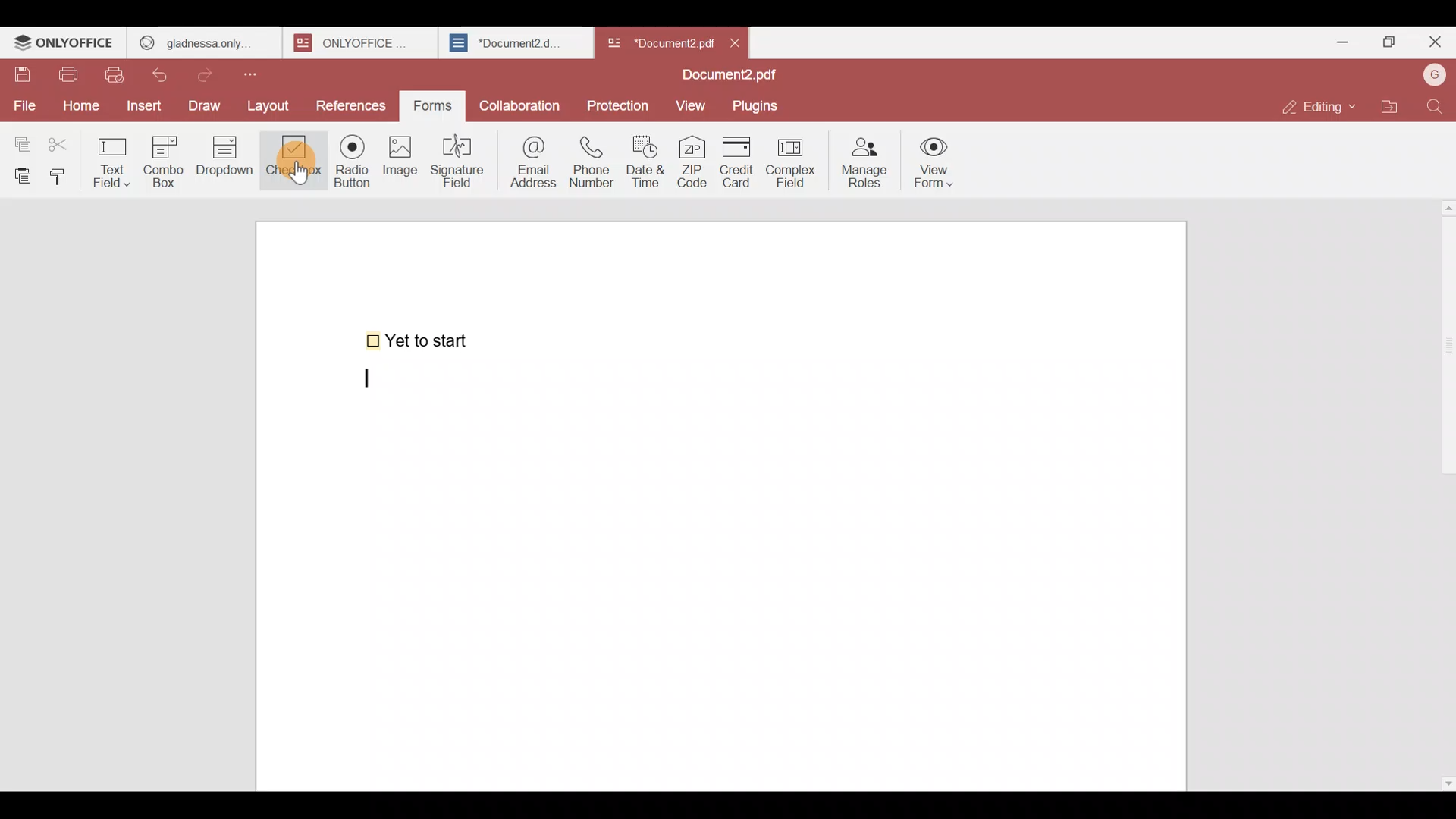  What do you see at coordinates (693, 105) in the screenshot?
I see `View` at bounding box center [693, 105].